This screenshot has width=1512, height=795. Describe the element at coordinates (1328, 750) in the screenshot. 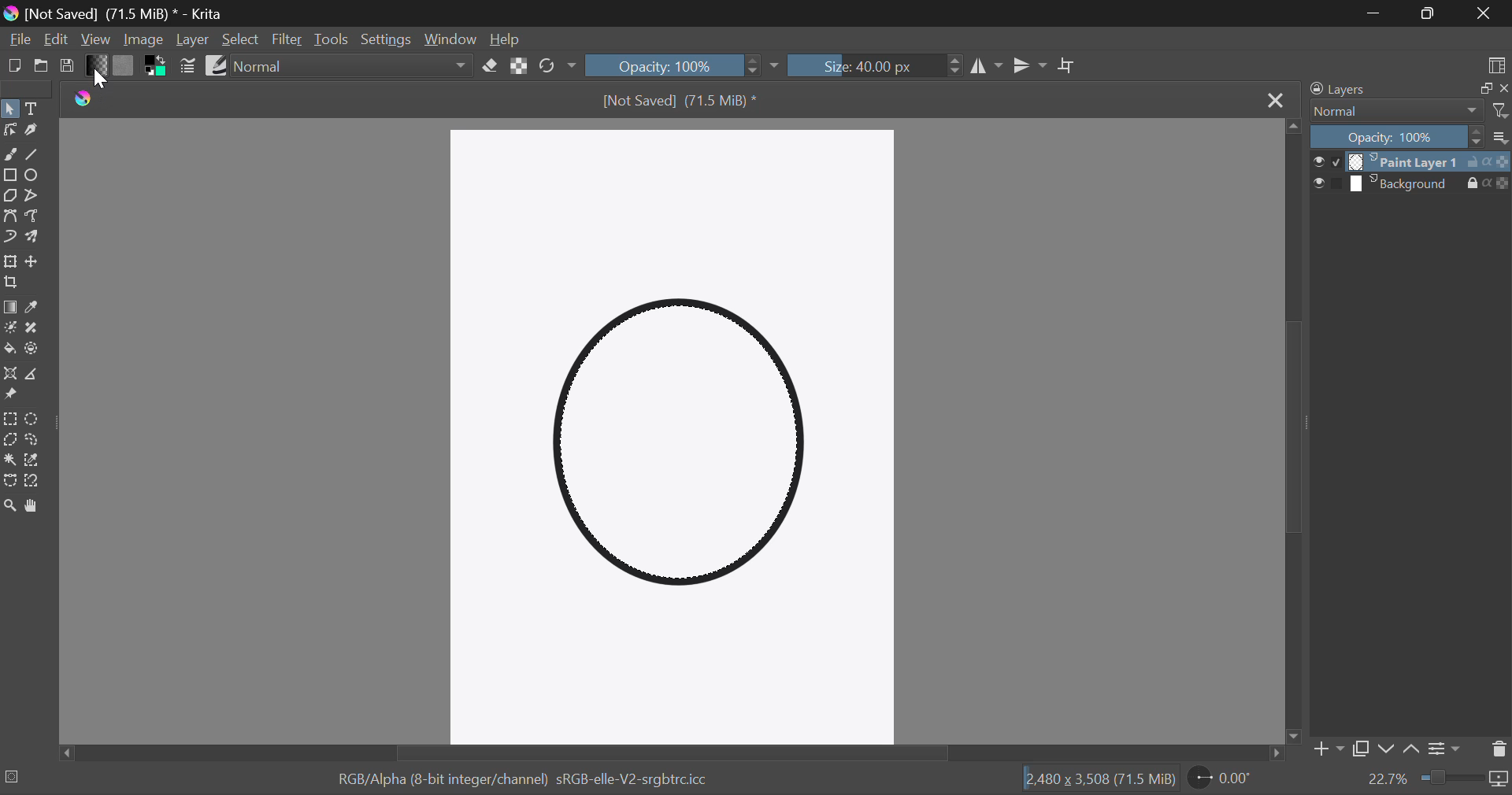

I see `Add Layer` at that location.